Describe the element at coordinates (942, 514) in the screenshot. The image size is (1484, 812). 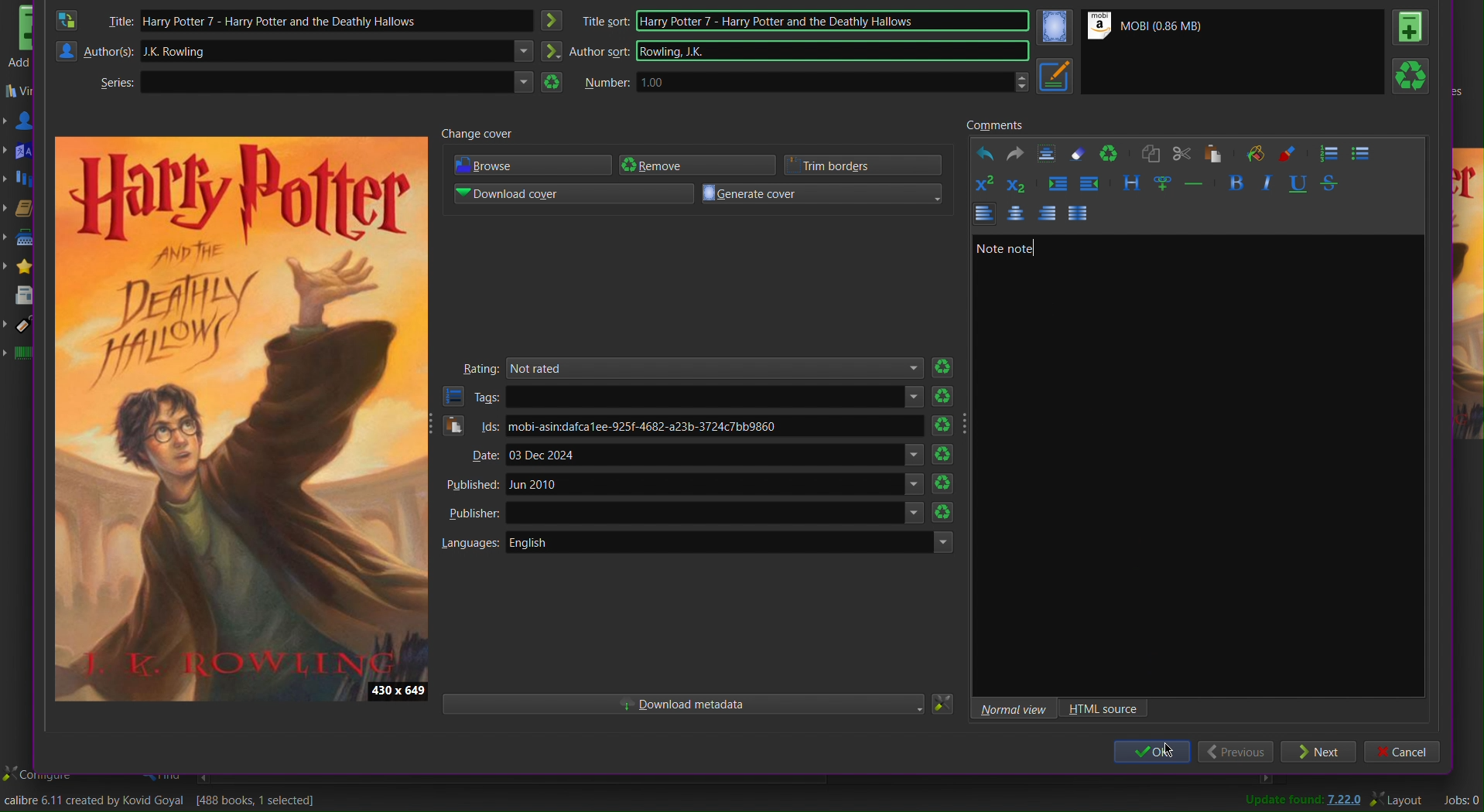
I see `refresh` at that location.